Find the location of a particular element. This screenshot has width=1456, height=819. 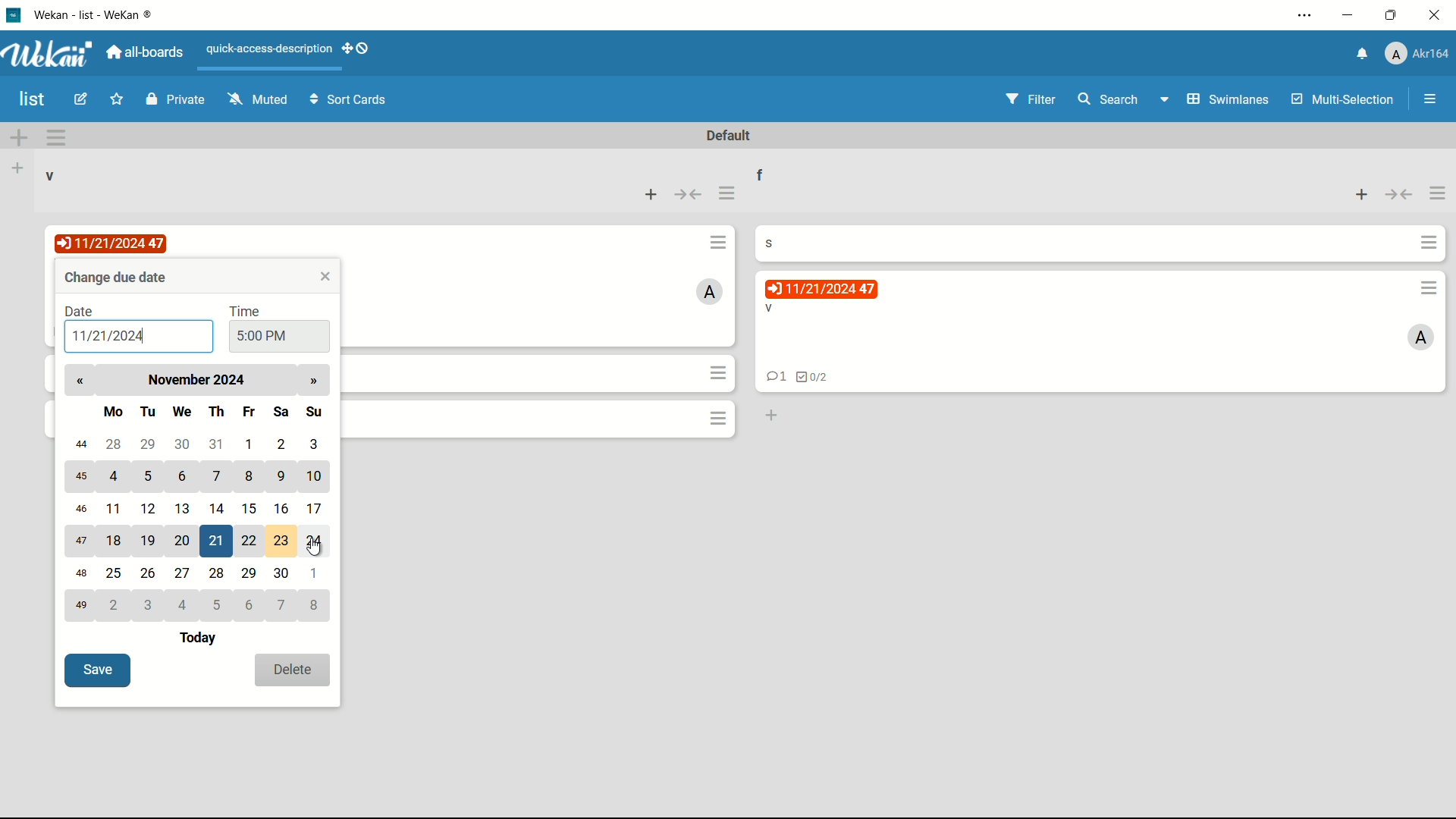

4 is located at coordinates (185, 605).